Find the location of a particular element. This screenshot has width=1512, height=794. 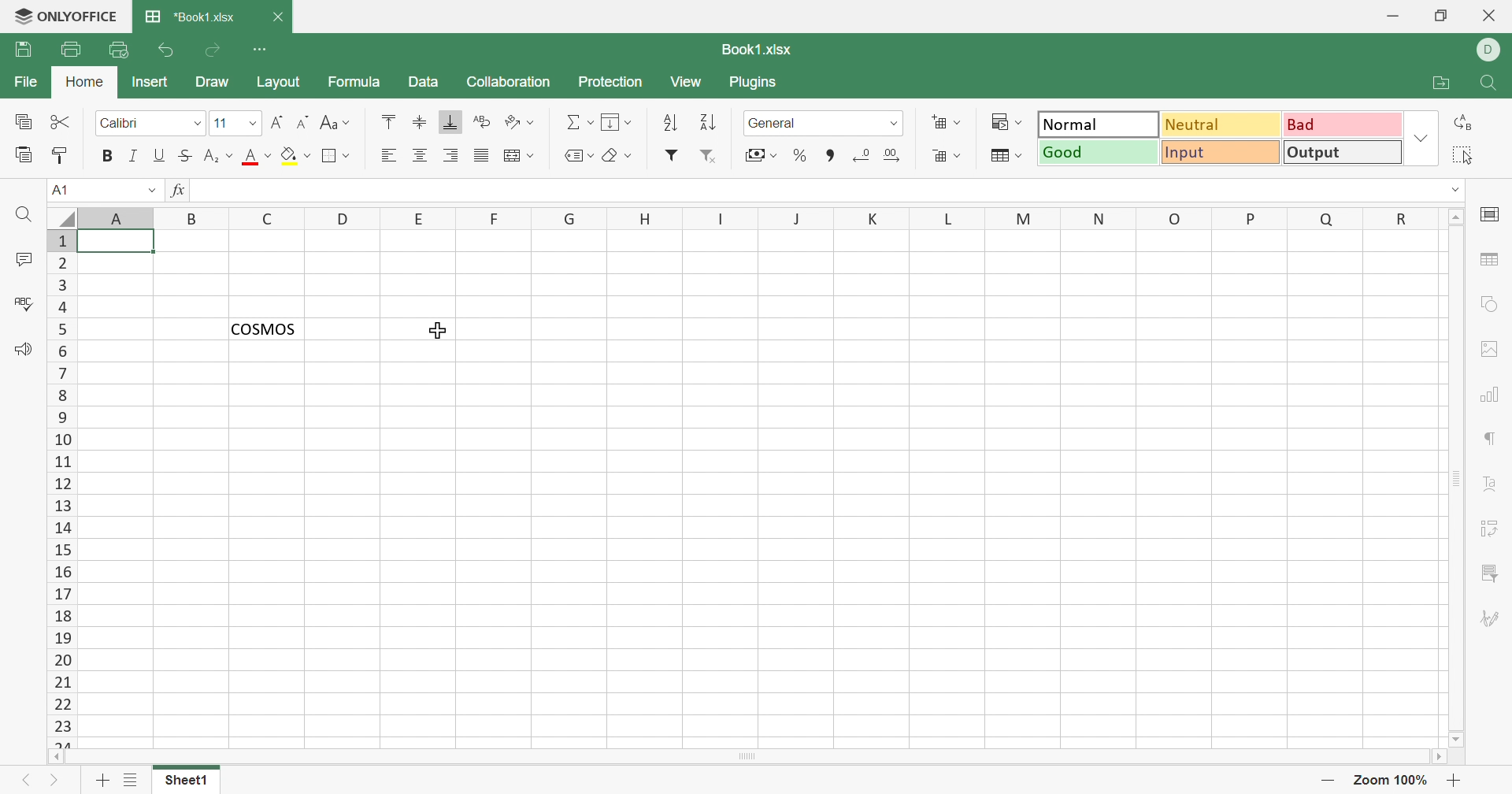

Scroll bar is located at coordinates (1458, 478).